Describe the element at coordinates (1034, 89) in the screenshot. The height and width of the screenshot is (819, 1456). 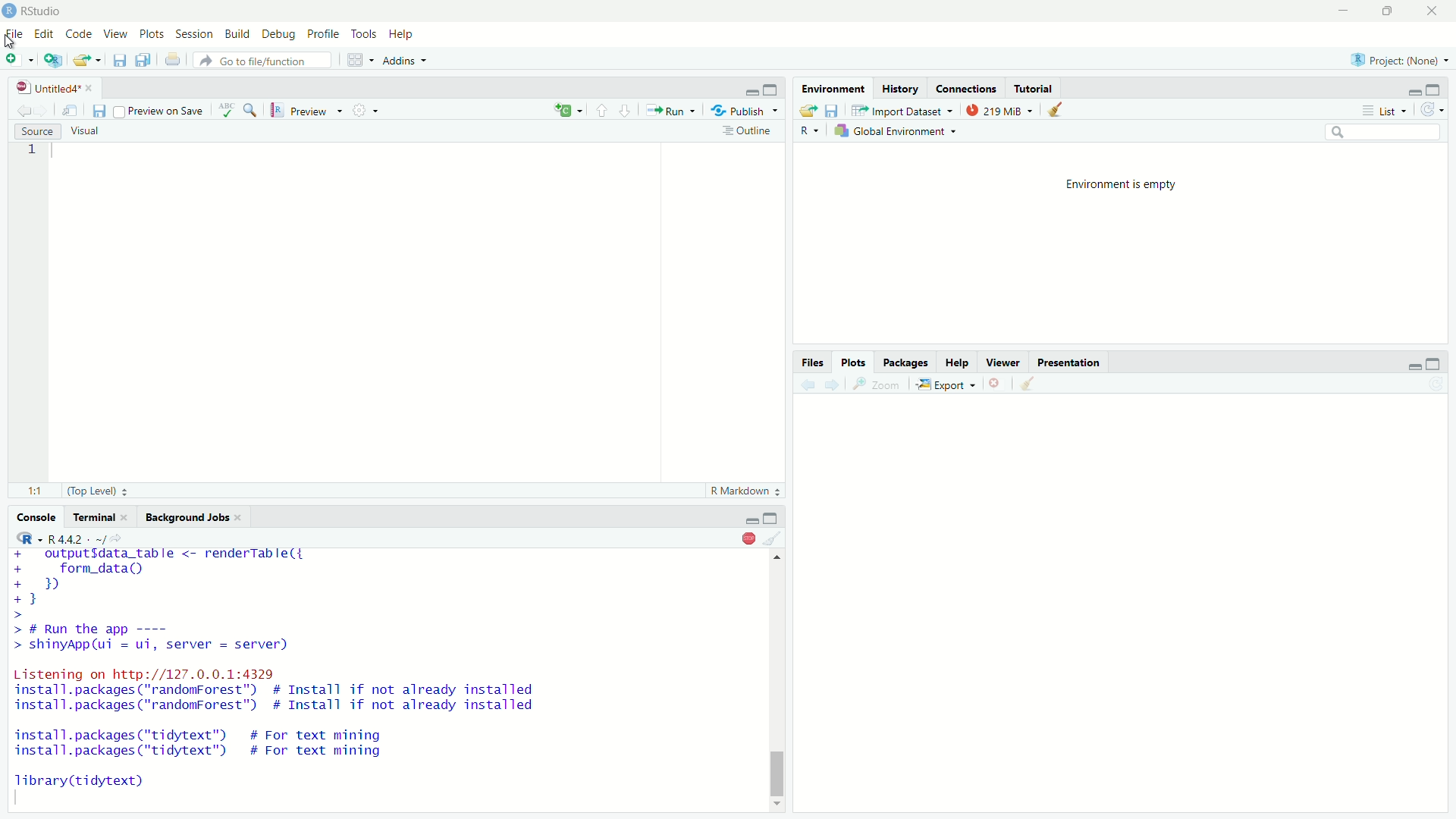
I see `Tutorial` at that location.